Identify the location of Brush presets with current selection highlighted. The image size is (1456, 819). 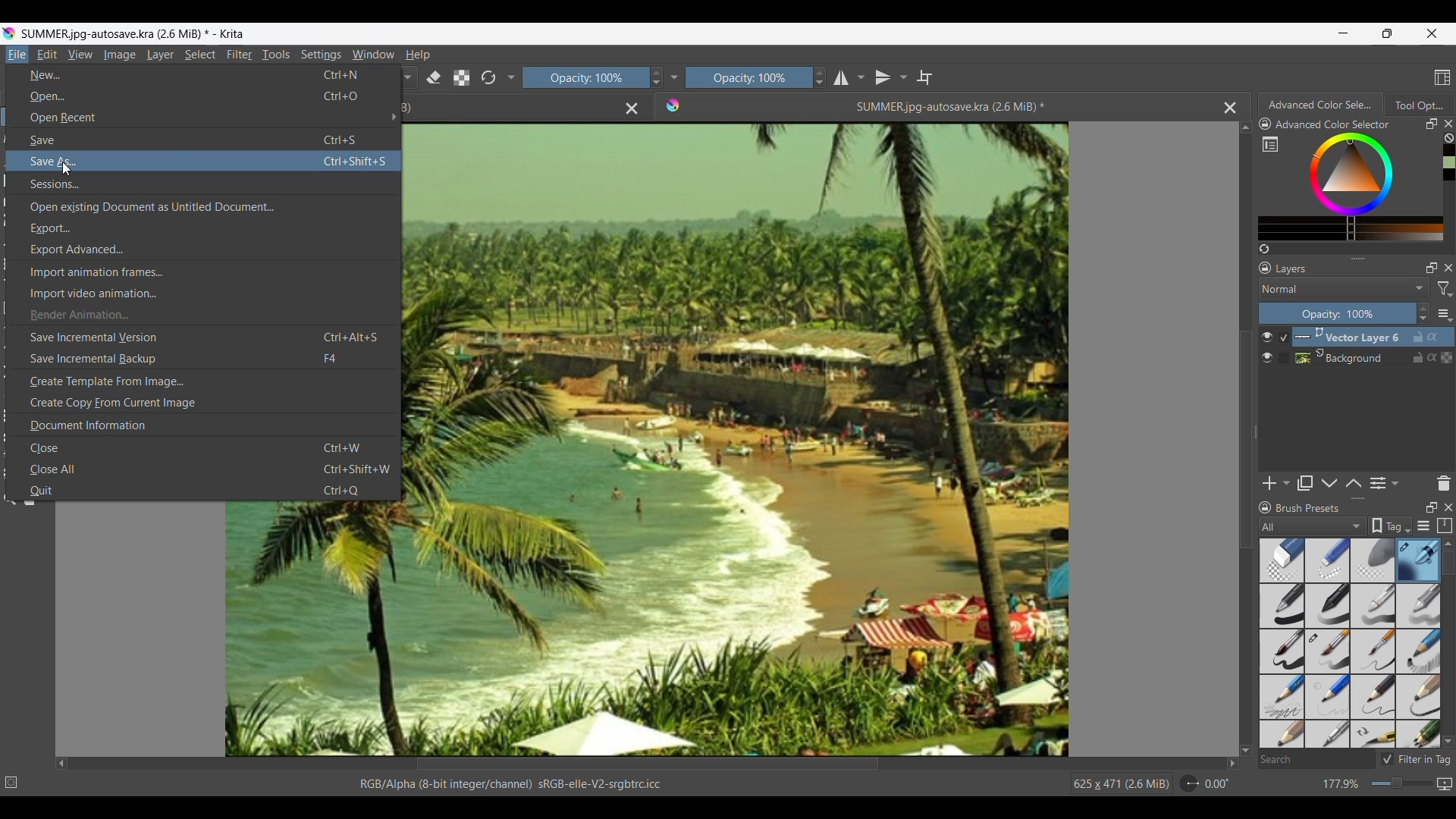
(1350, 644).